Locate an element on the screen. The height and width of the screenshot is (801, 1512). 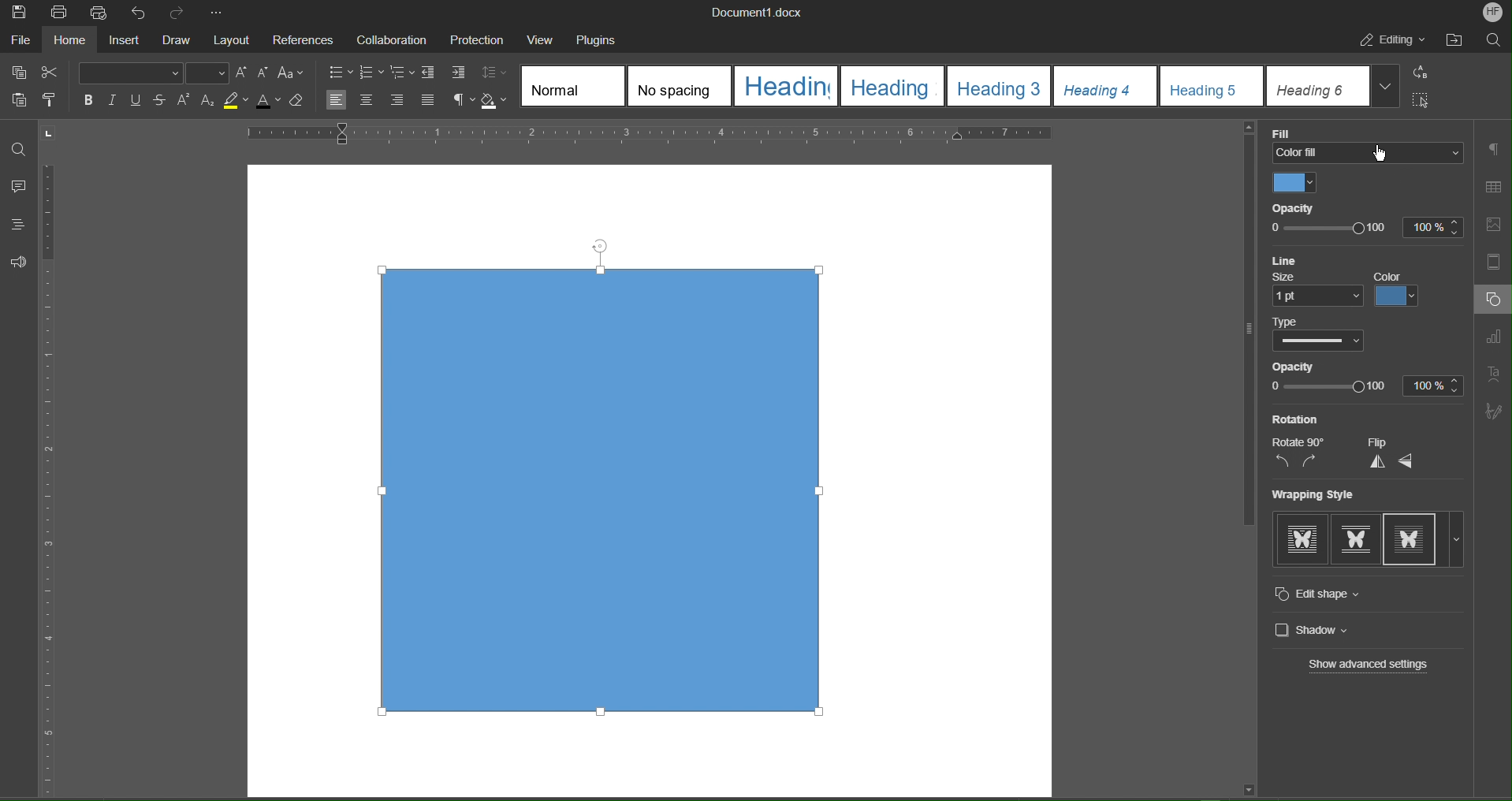
Horizontally is located at coordinates (1406, 463).